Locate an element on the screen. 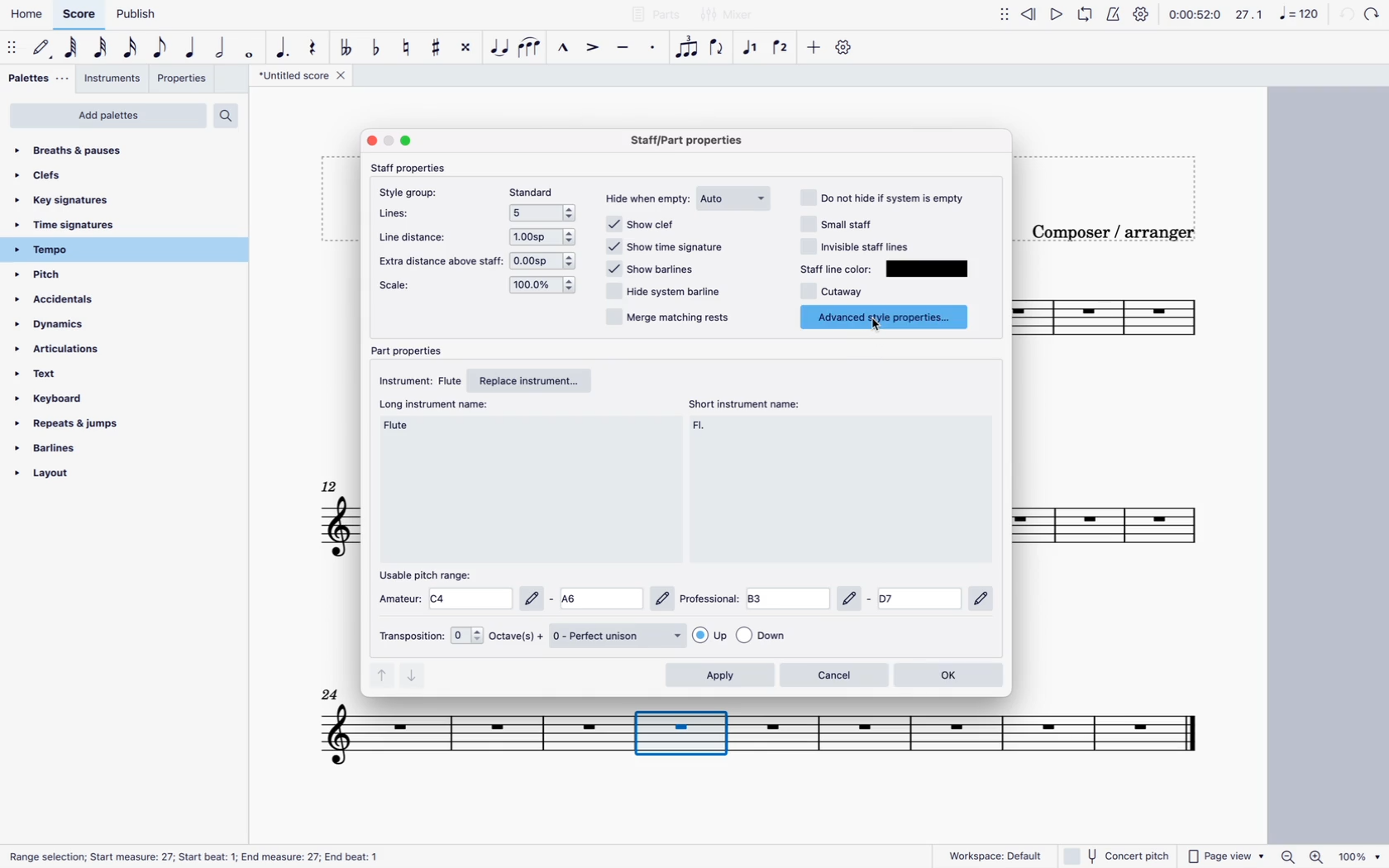 The height and width of the screenshot is (868, 1389). amateus is located at coordinates (400, 599).